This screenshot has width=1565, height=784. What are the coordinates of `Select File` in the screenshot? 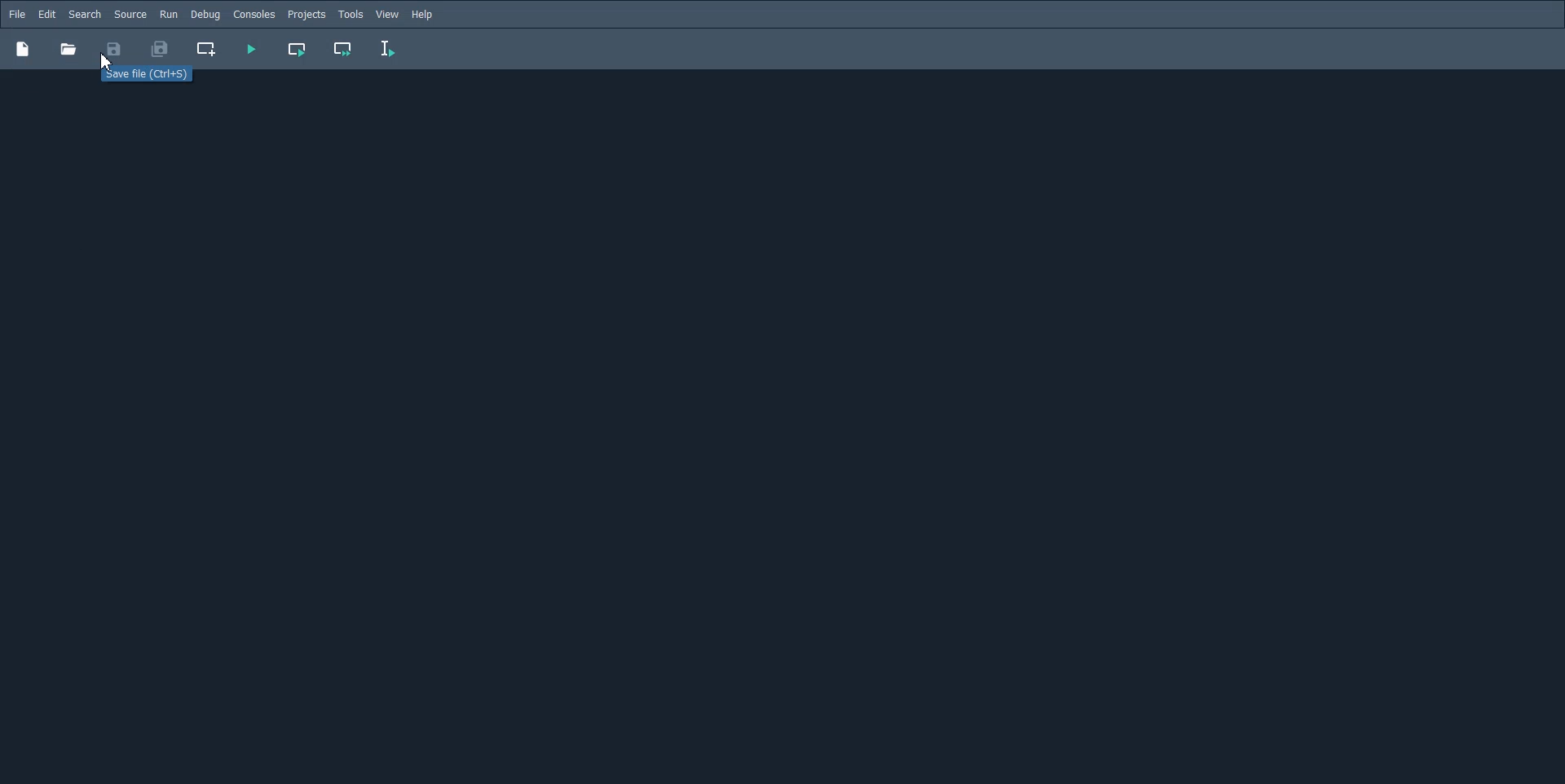 It's located at (140, 77).